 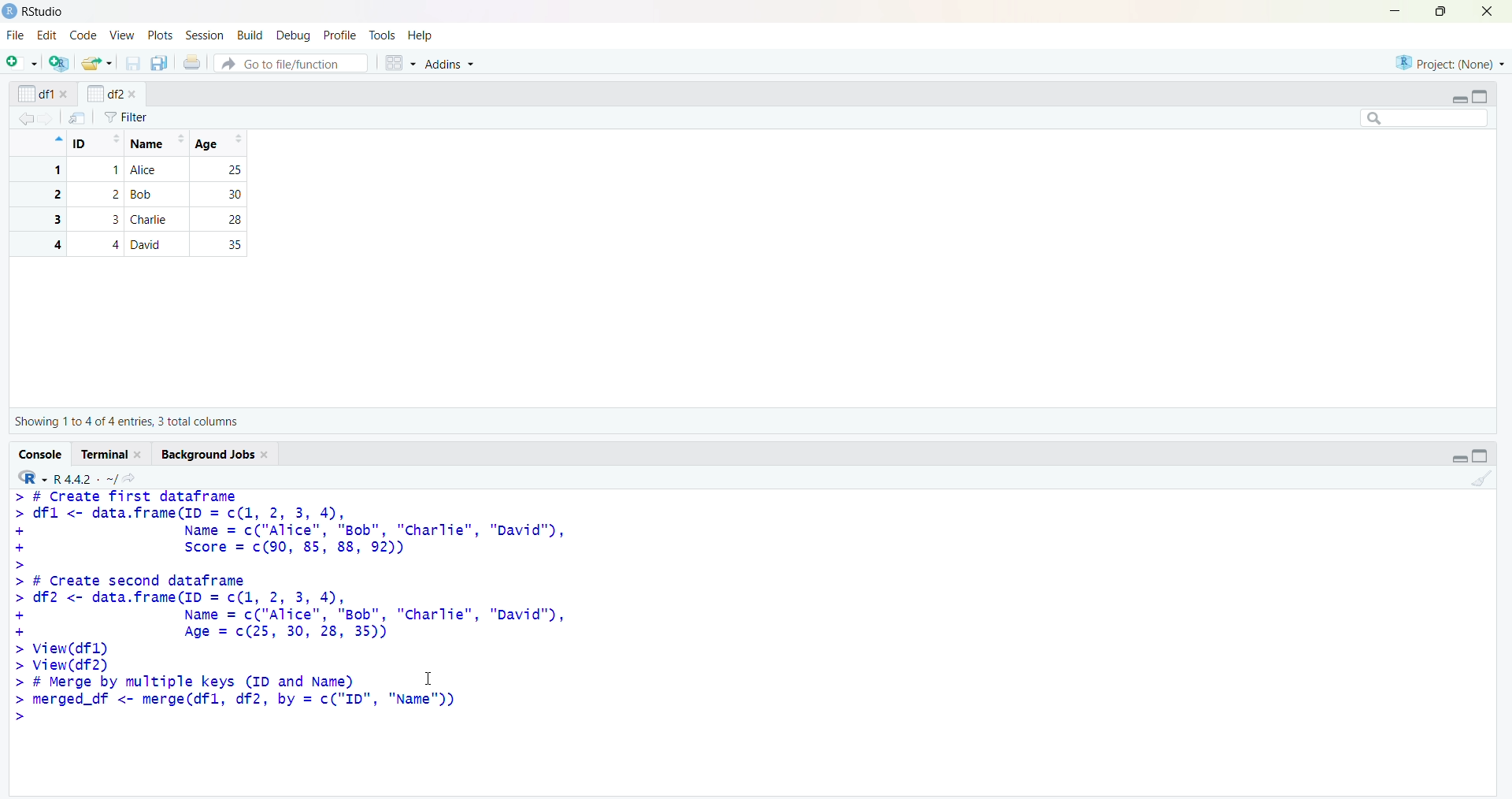 I want to click on send, so click(x=78, y=117).